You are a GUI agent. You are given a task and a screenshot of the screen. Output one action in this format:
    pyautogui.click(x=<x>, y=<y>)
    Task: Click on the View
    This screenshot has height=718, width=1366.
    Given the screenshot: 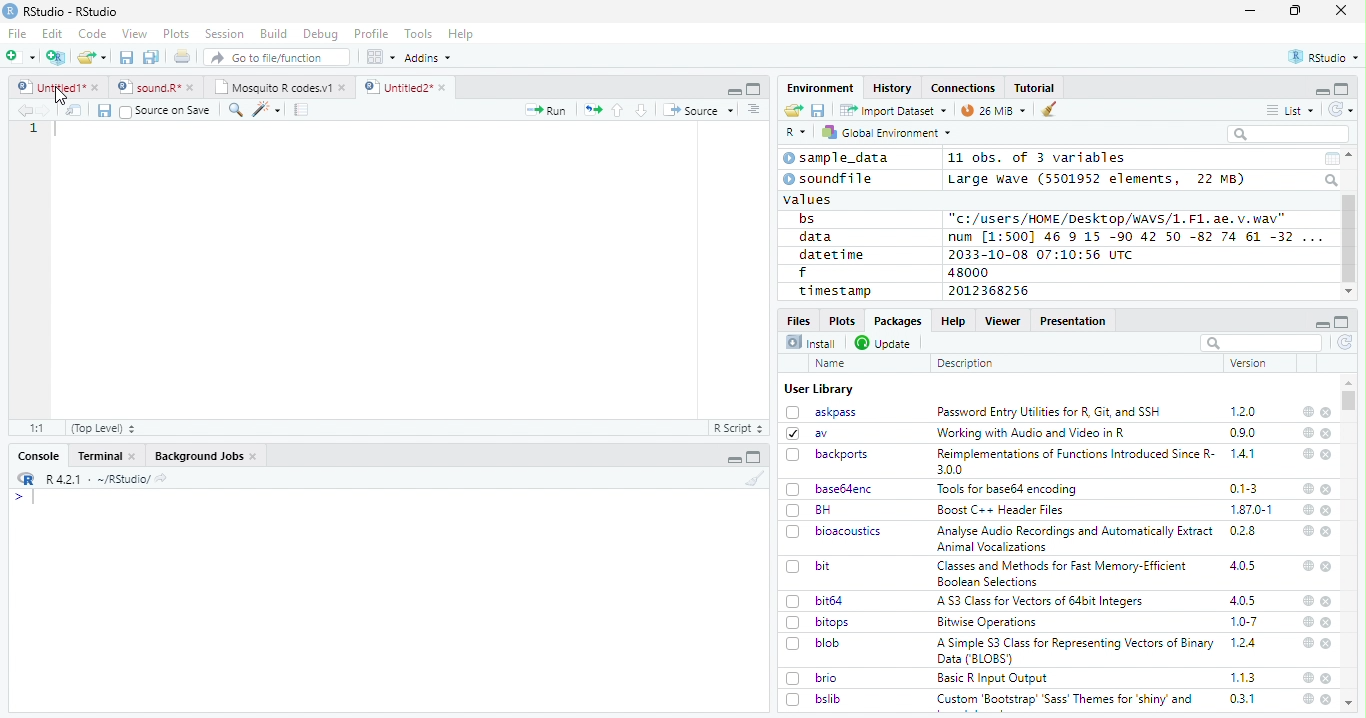 What is the action you would take?
    pyautogui.click(x=135, y=34)
    